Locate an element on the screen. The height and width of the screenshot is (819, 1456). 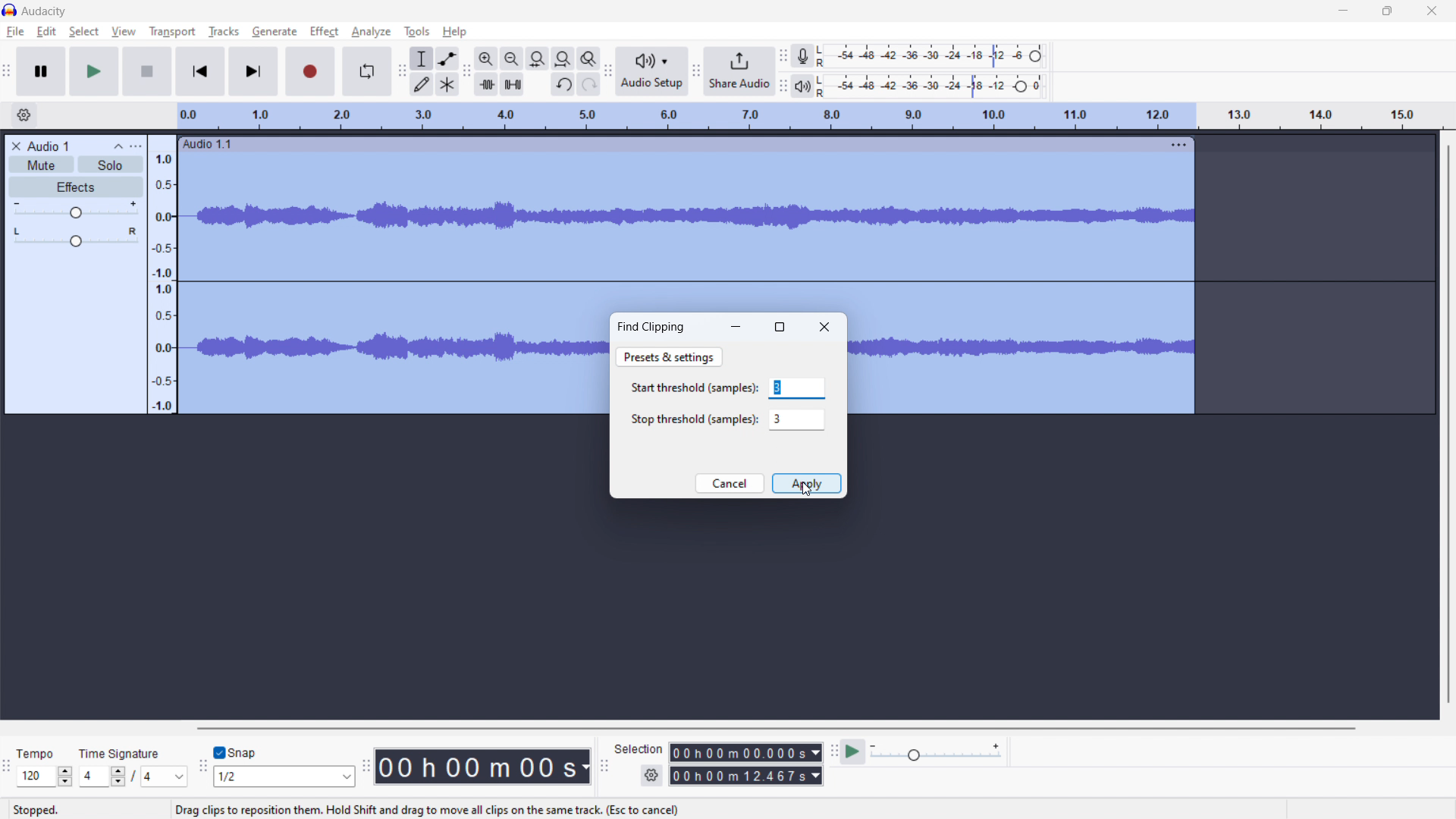
cancel is located at coordinates (730, 484).